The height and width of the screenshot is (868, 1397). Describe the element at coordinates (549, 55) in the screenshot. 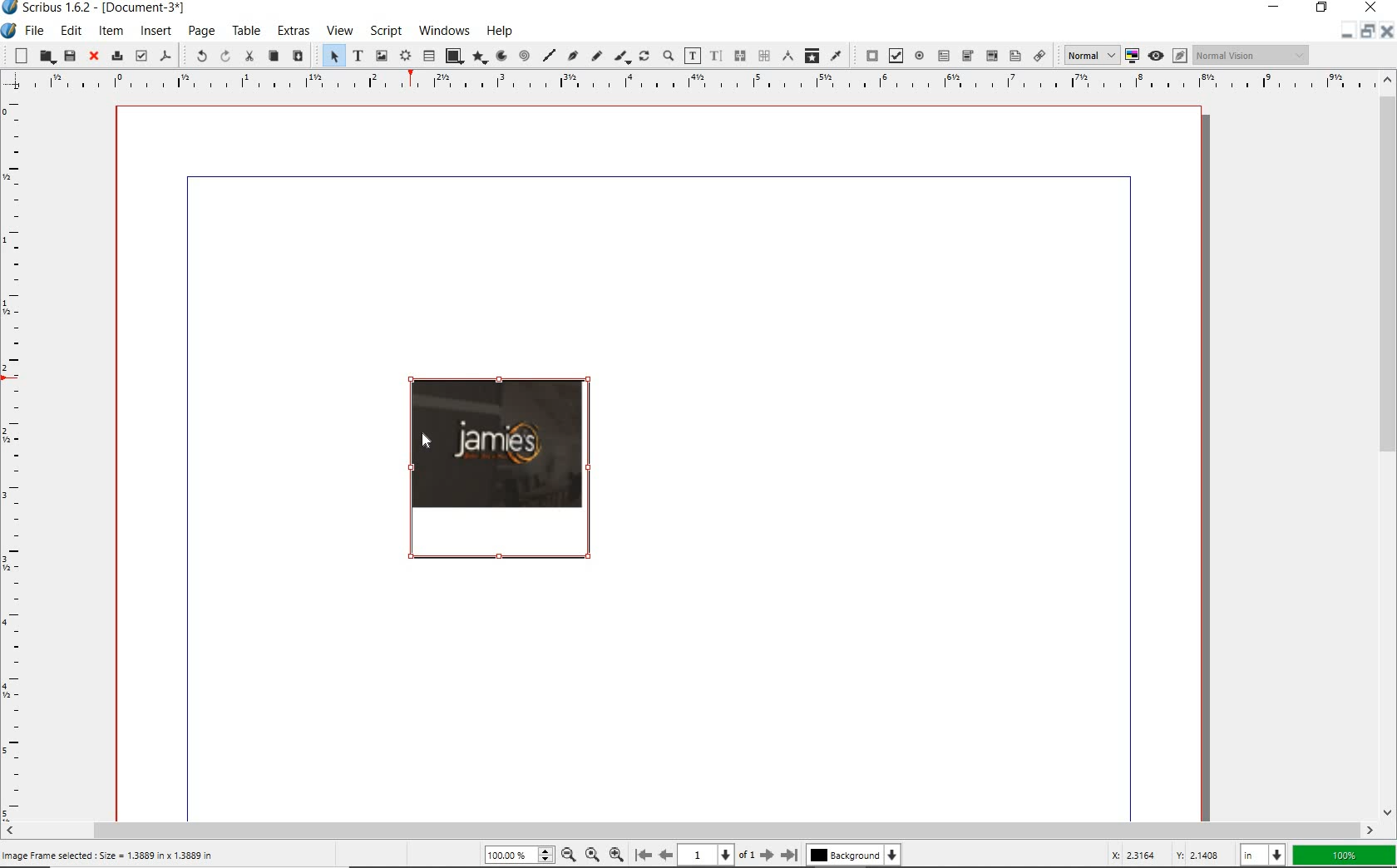

I see `line` at that location.